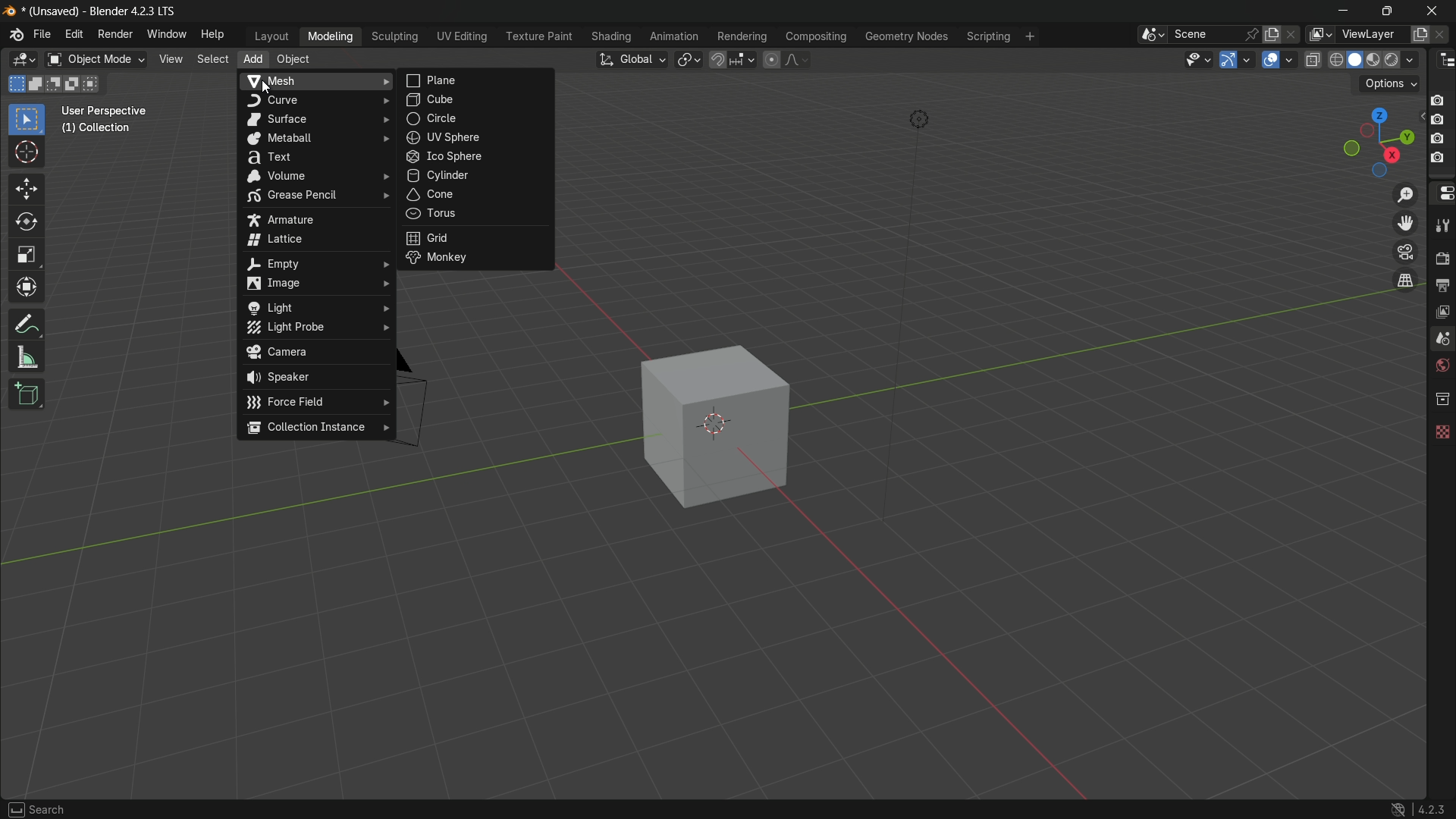 The width and height of the screenshot is (1456, 819). I want to click on cursor, so click(271, 88).